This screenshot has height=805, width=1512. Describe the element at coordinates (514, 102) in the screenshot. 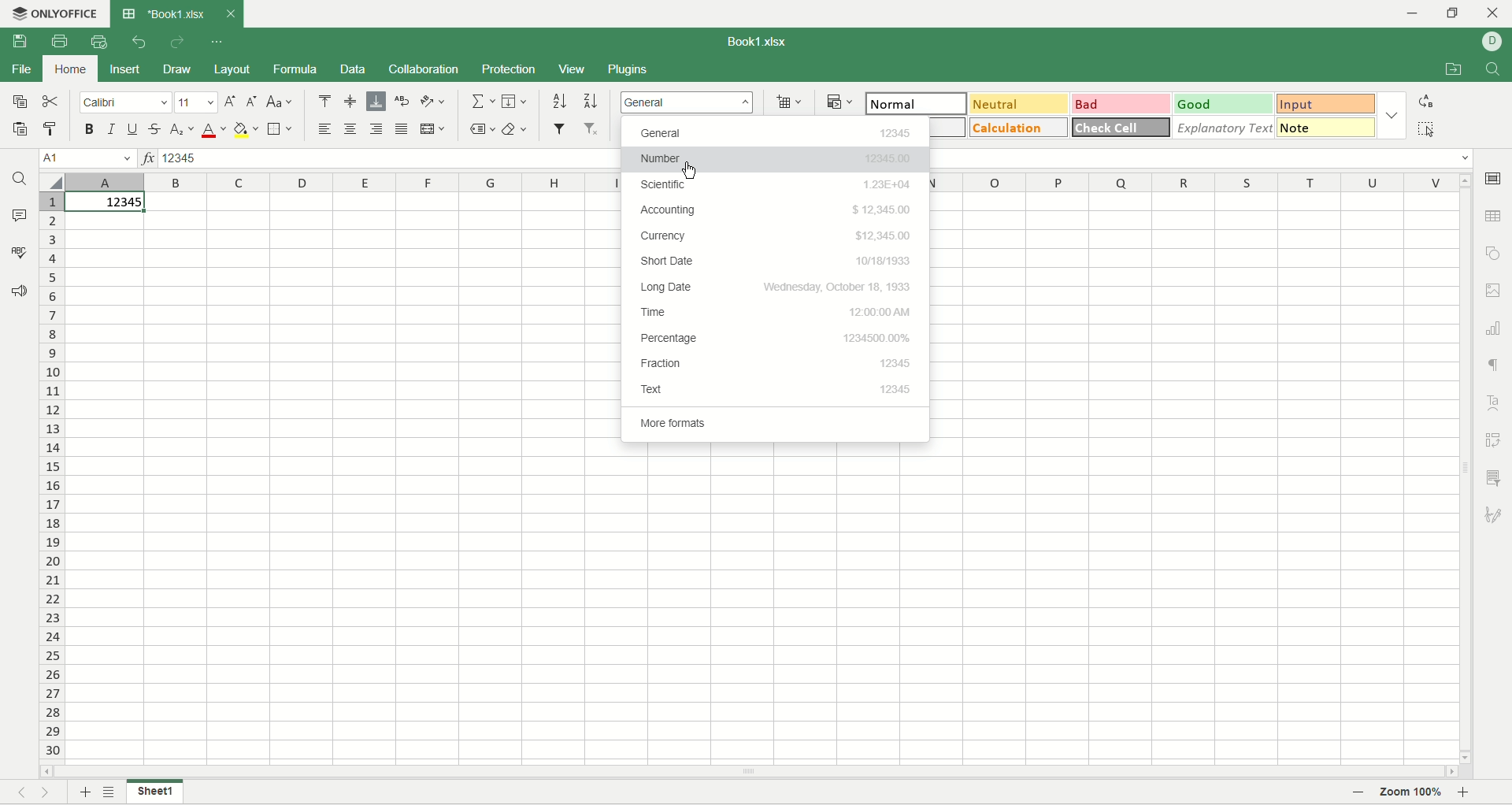

I see `fill` at that location.